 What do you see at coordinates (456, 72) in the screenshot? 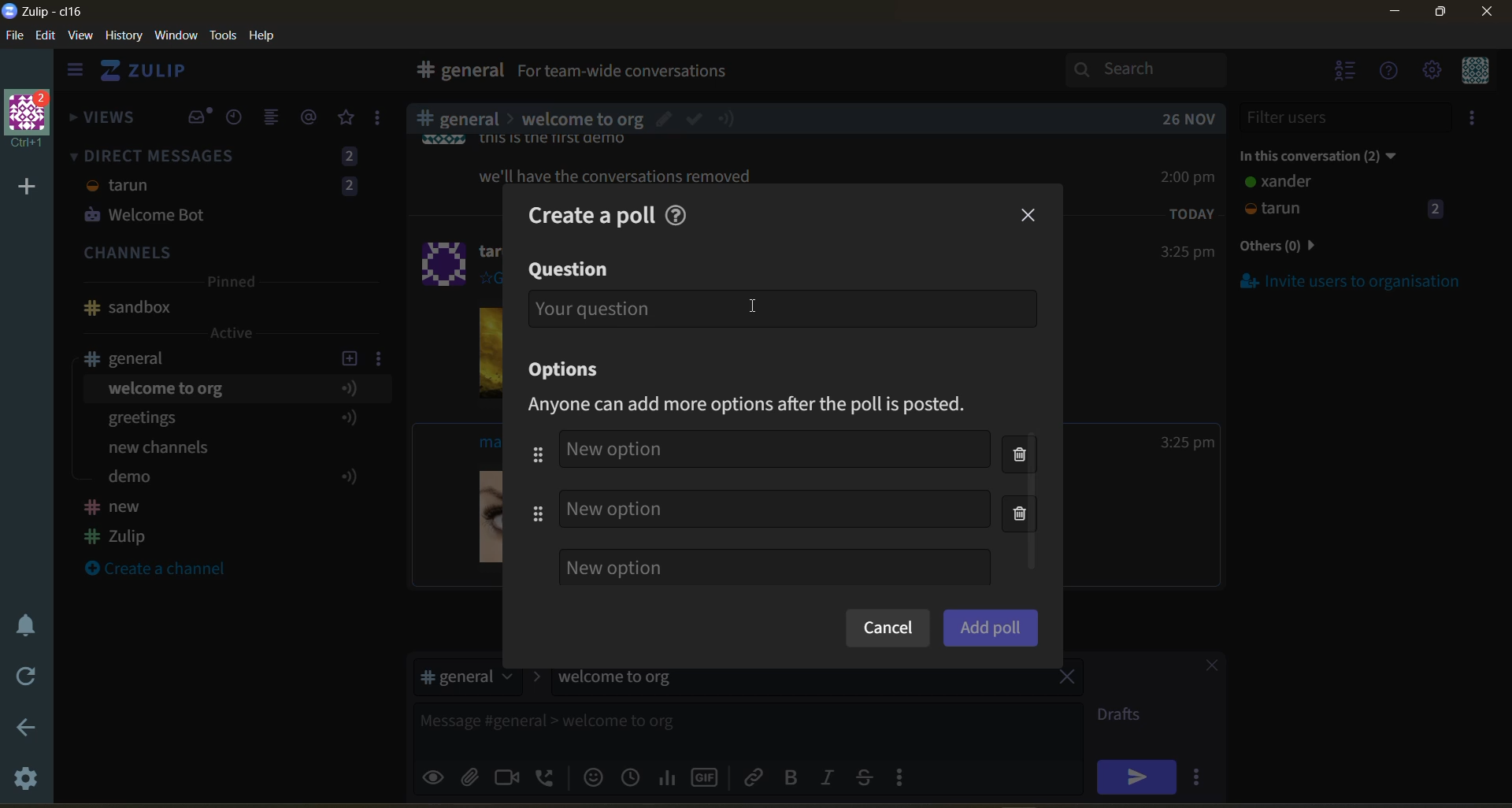
I see `inbox` at bounding box center [456, 72].